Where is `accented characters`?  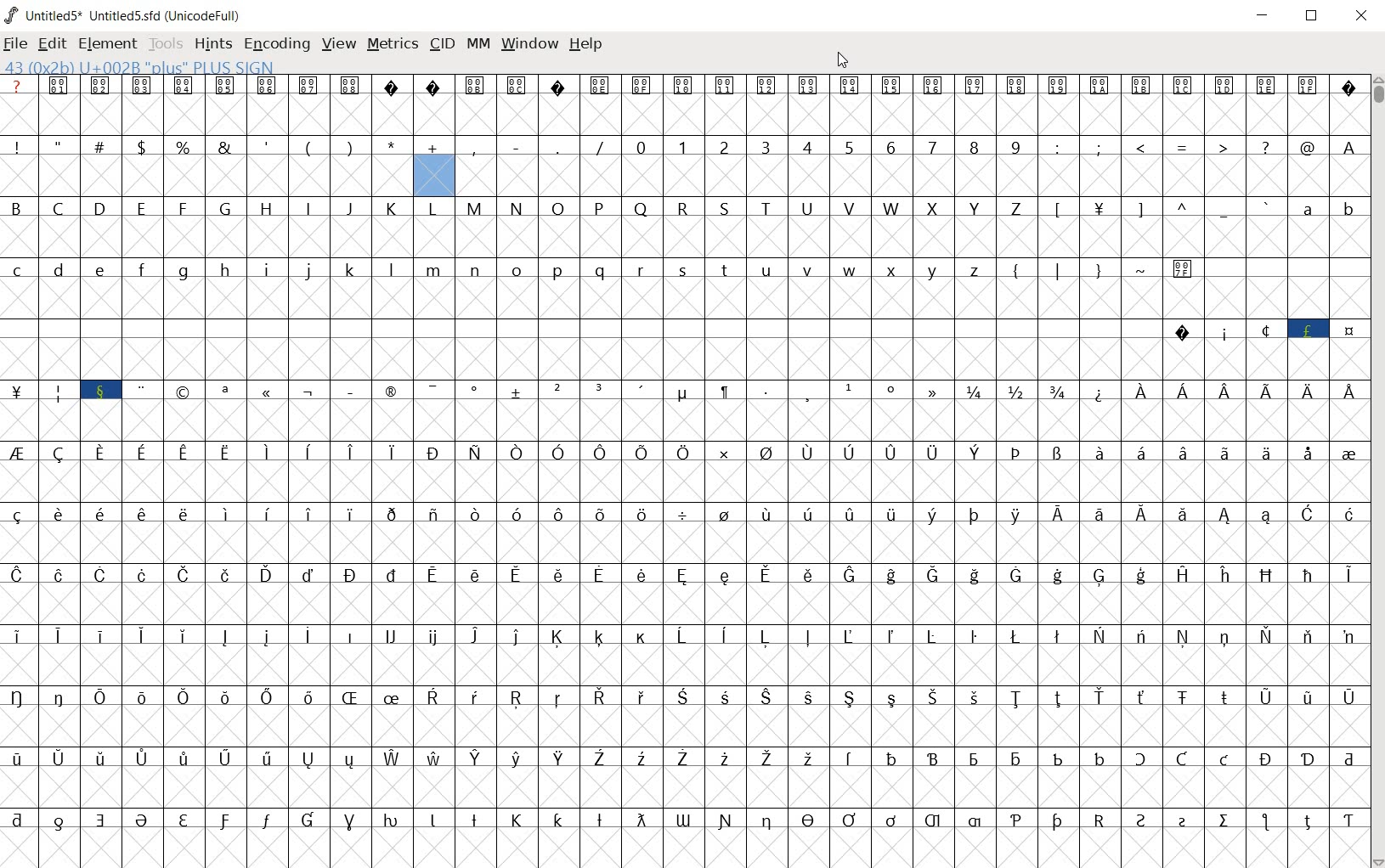 accented characters is located at coordinates (248, 472).